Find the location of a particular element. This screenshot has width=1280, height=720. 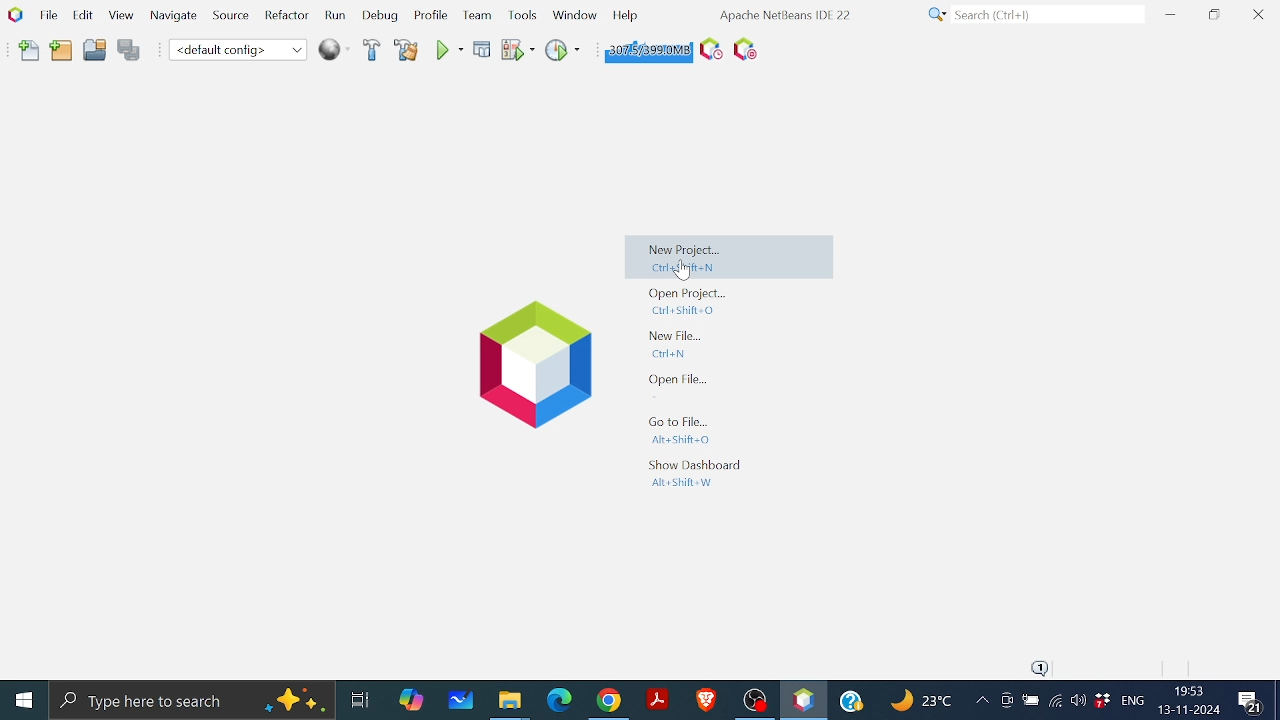

Clean and build is located at coordinates (406, 50).